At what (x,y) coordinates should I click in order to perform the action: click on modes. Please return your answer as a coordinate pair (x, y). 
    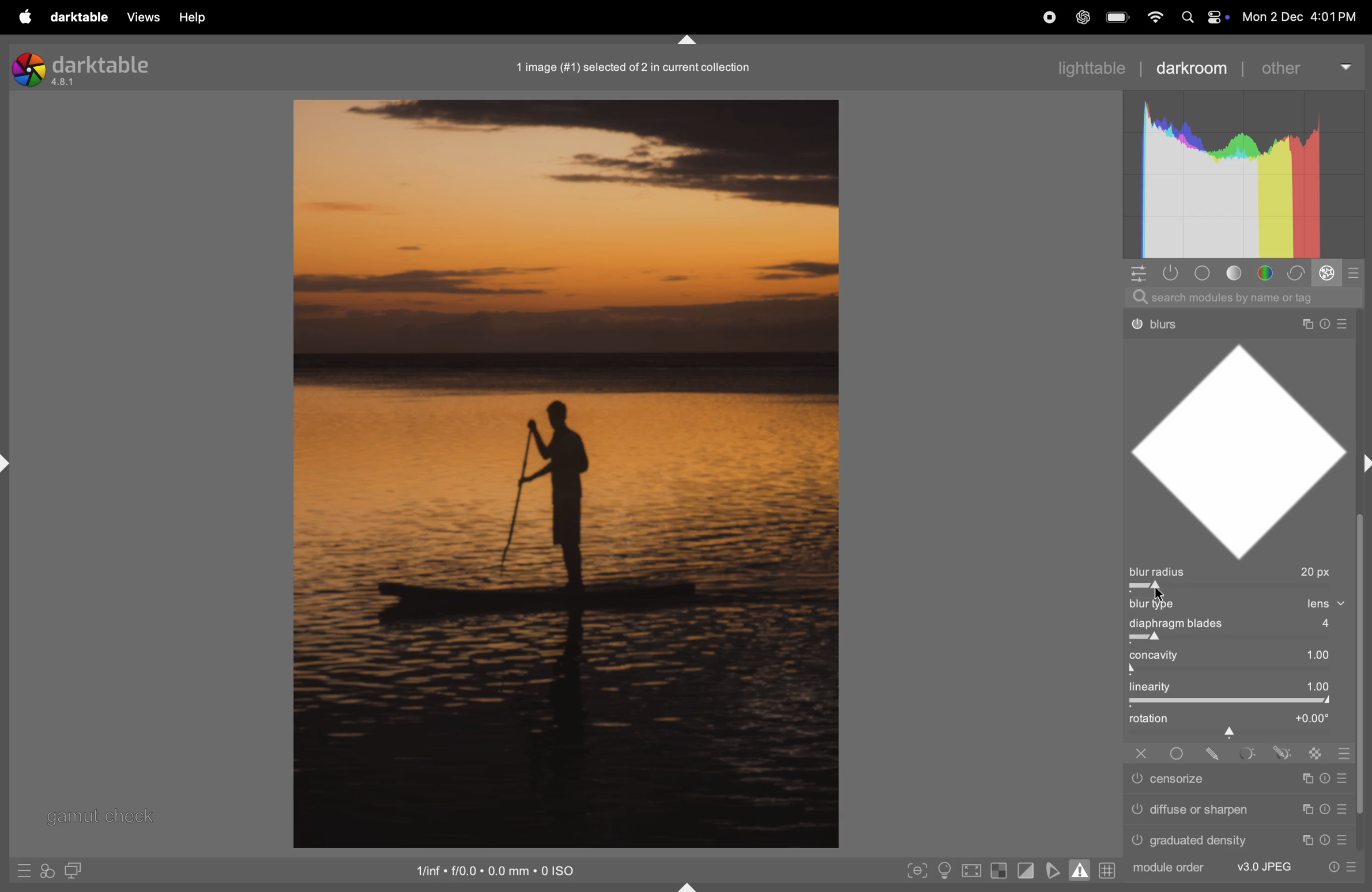
    Looking at the image, I should click on (1357, 272).